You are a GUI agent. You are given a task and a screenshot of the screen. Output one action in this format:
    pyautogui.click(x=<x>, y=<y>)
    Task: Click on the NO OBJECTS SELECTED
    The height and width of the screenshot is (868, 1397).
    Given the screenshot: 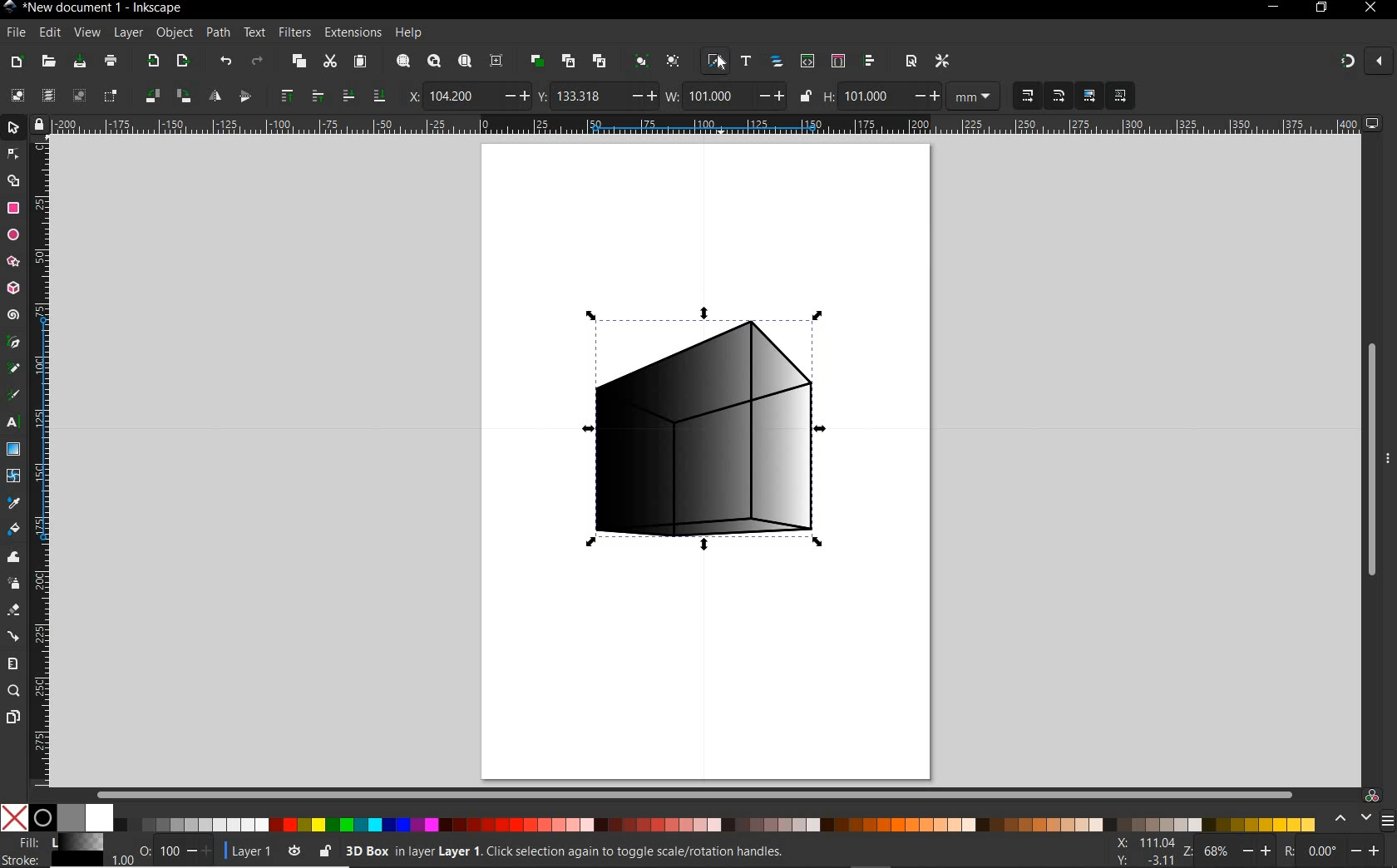 What is the action you would take?
    pyautogui.click(x=655, y=854)
    